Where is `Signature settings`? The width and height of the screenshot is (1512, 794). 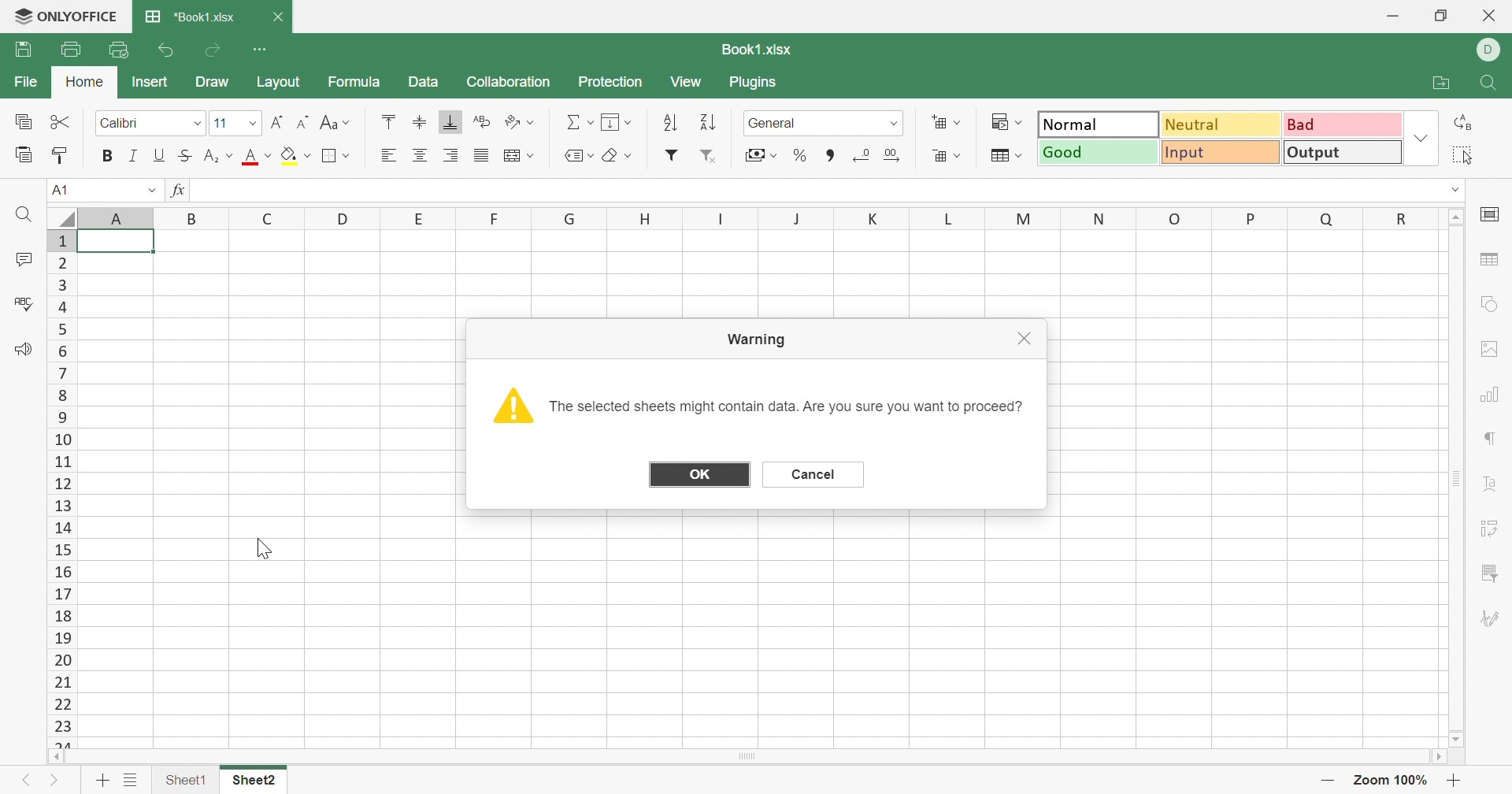
Signature settings is located at coordinates (1491, 617).